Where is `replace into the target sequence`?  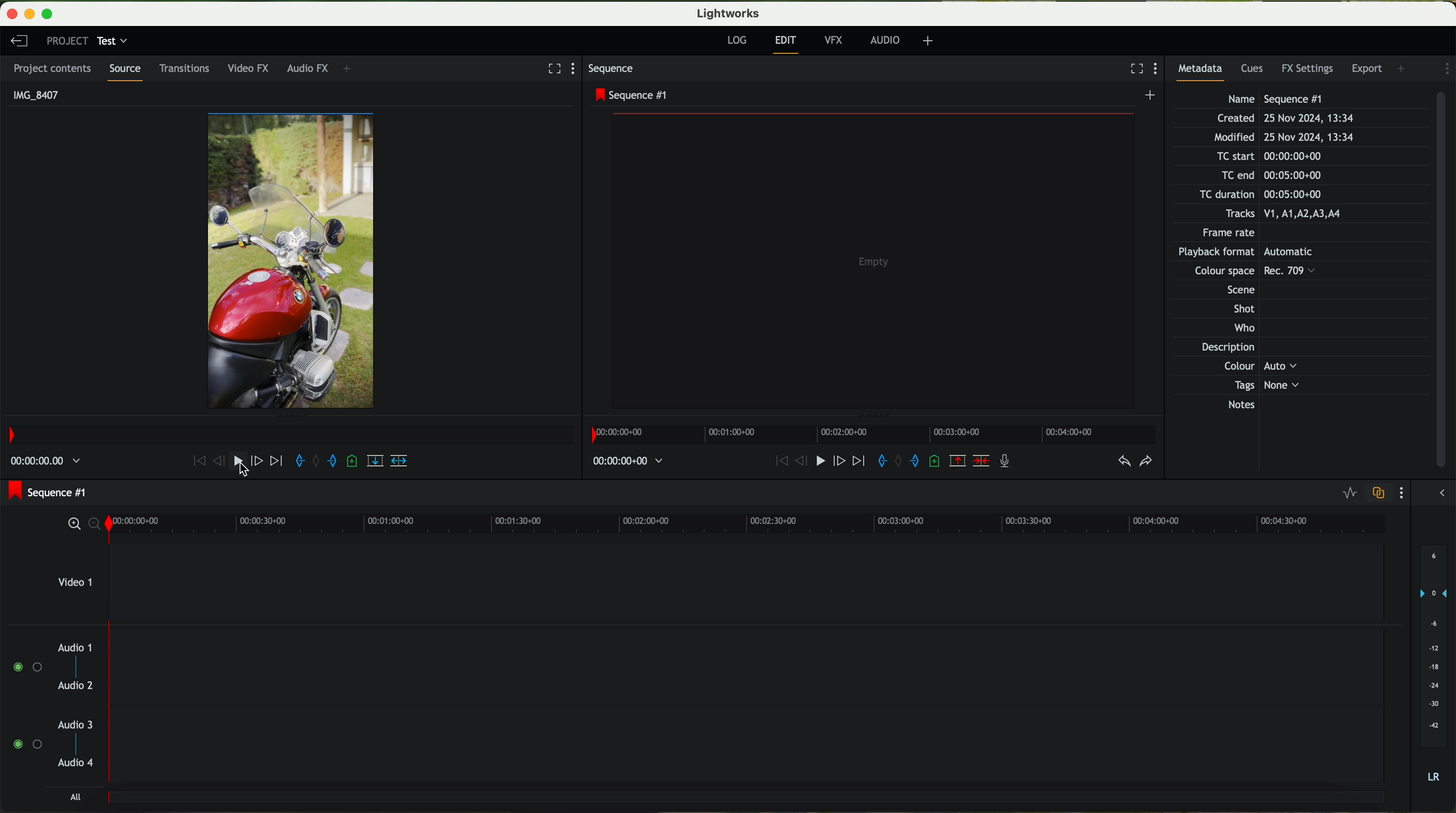
replace into the target sequence is located at coordinates (375, 462).